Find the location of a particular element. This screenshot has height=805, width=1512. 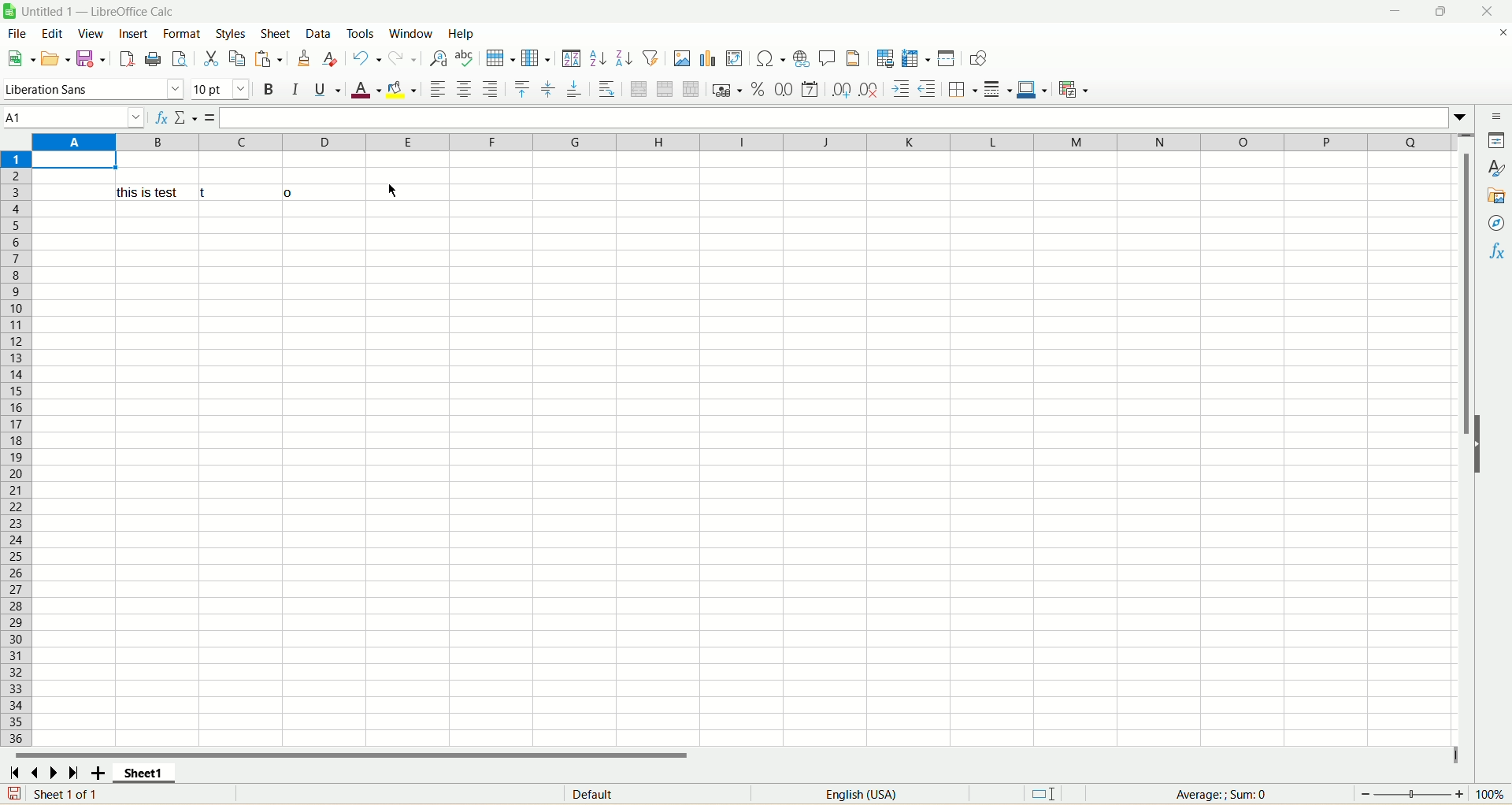

copy is located at coordinates (237, 57).